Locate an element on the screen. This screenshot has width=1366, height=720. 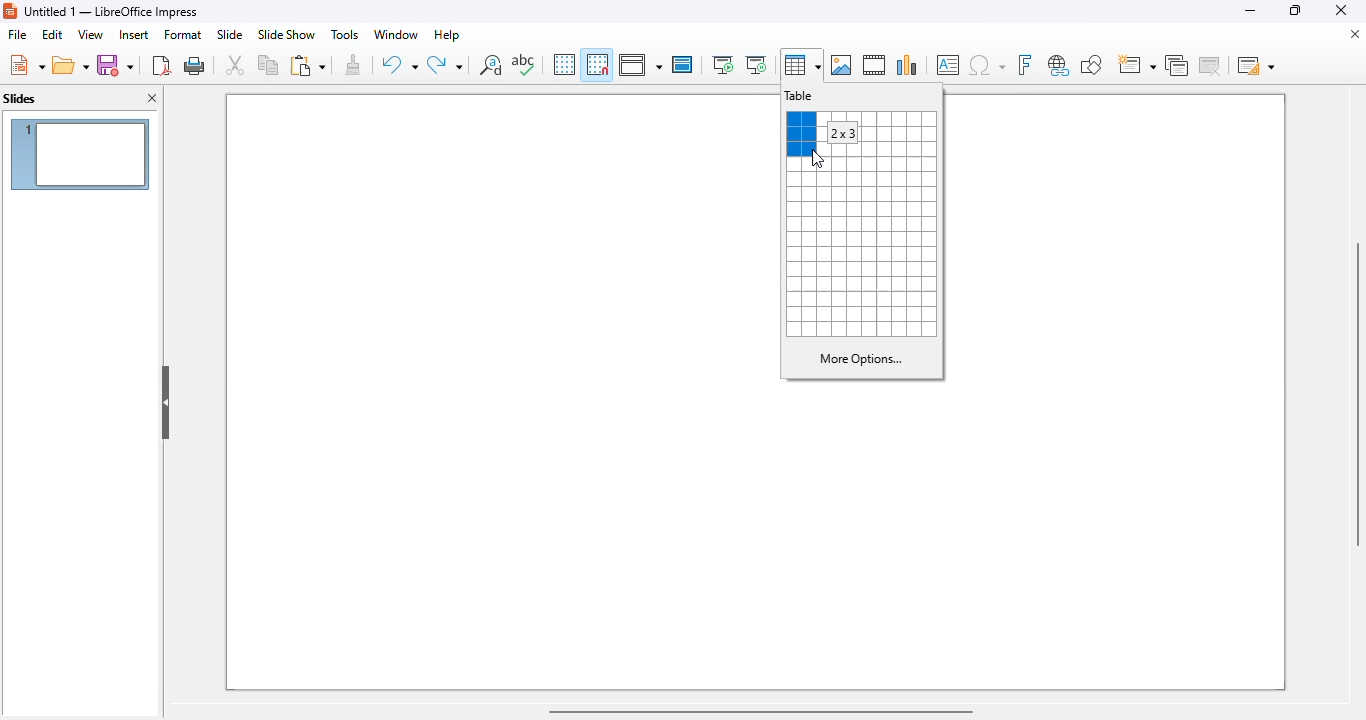
cursor is located at coordinates (818, 158).